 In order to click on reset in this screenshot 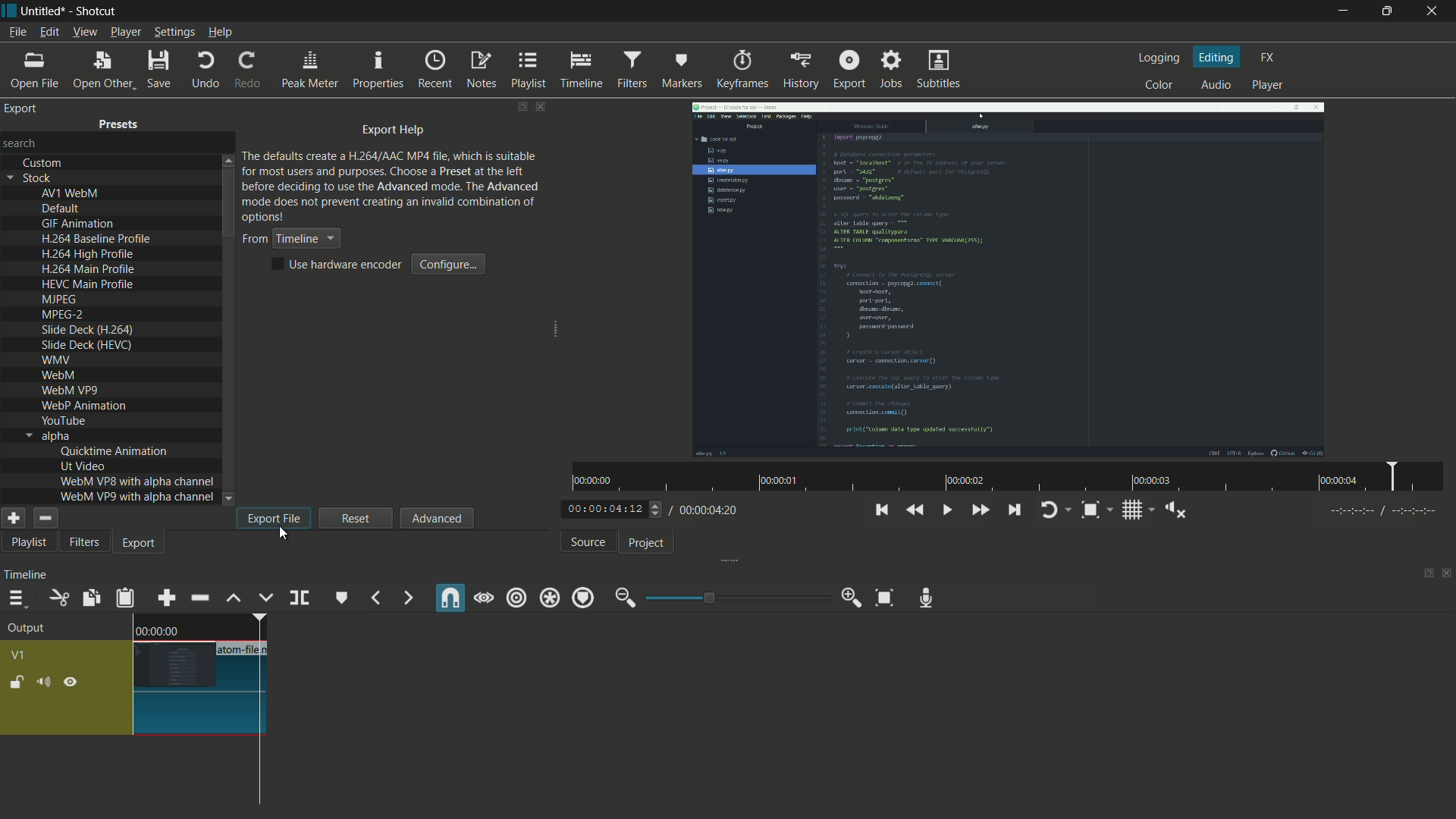, I will do `click(356, 517)`.